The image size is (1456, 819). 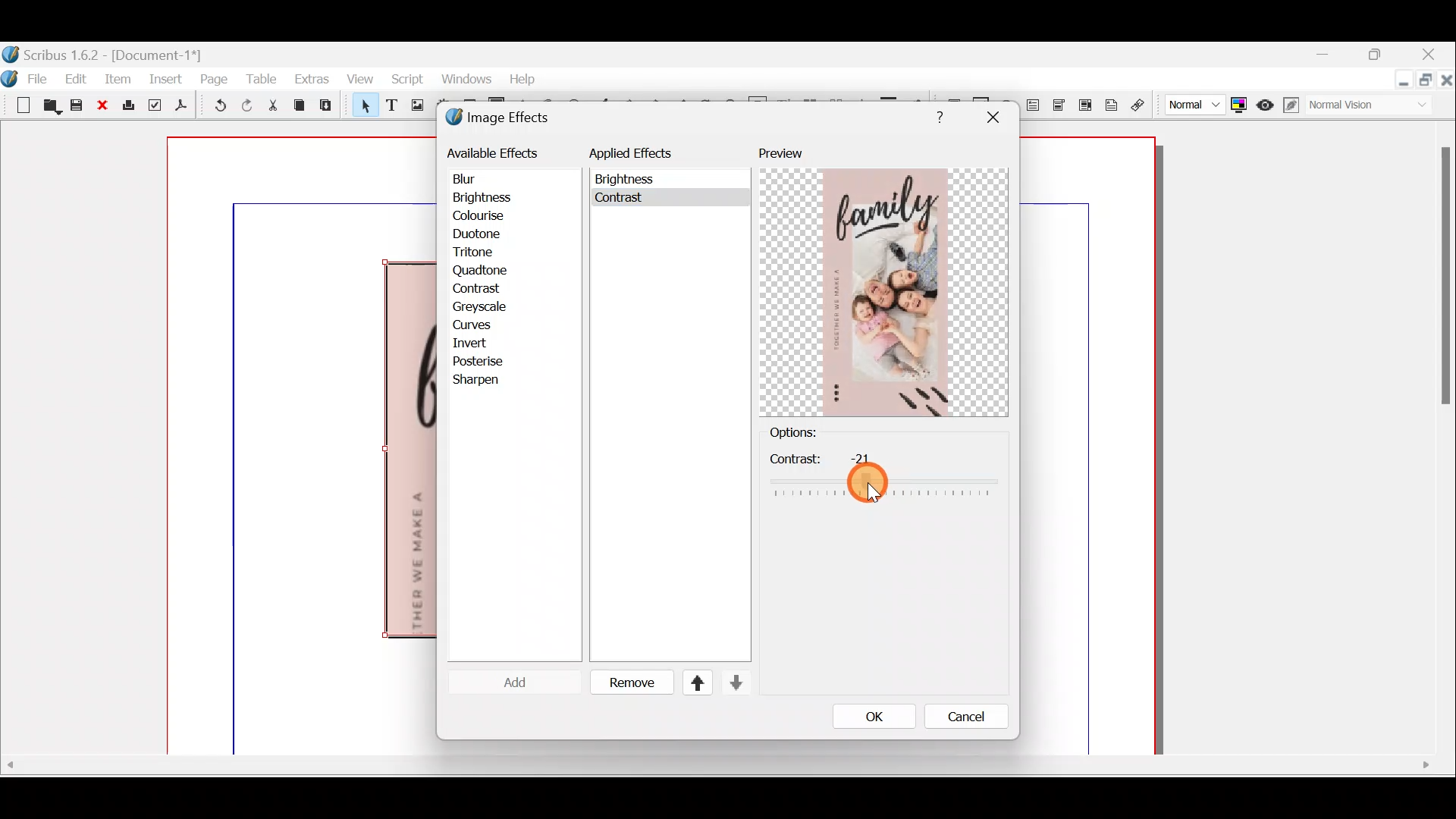 I want to click on Visual appearance of display, so click(x=1376, y=106).